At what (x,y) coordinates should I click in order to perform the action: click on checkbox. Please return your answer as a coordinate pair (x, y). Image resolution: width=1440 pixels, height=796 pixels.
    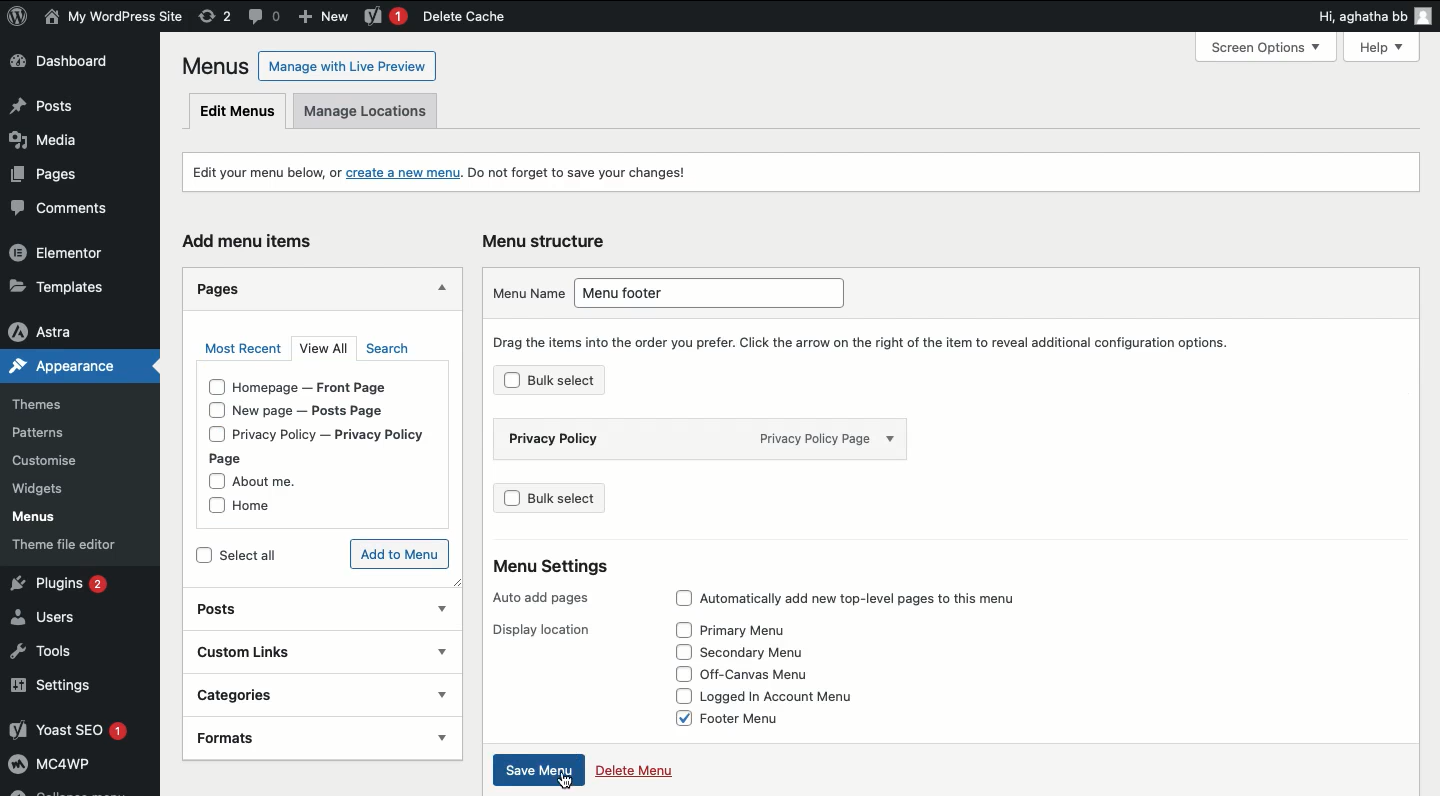
    Looking at the image, I should click on (209, 507).